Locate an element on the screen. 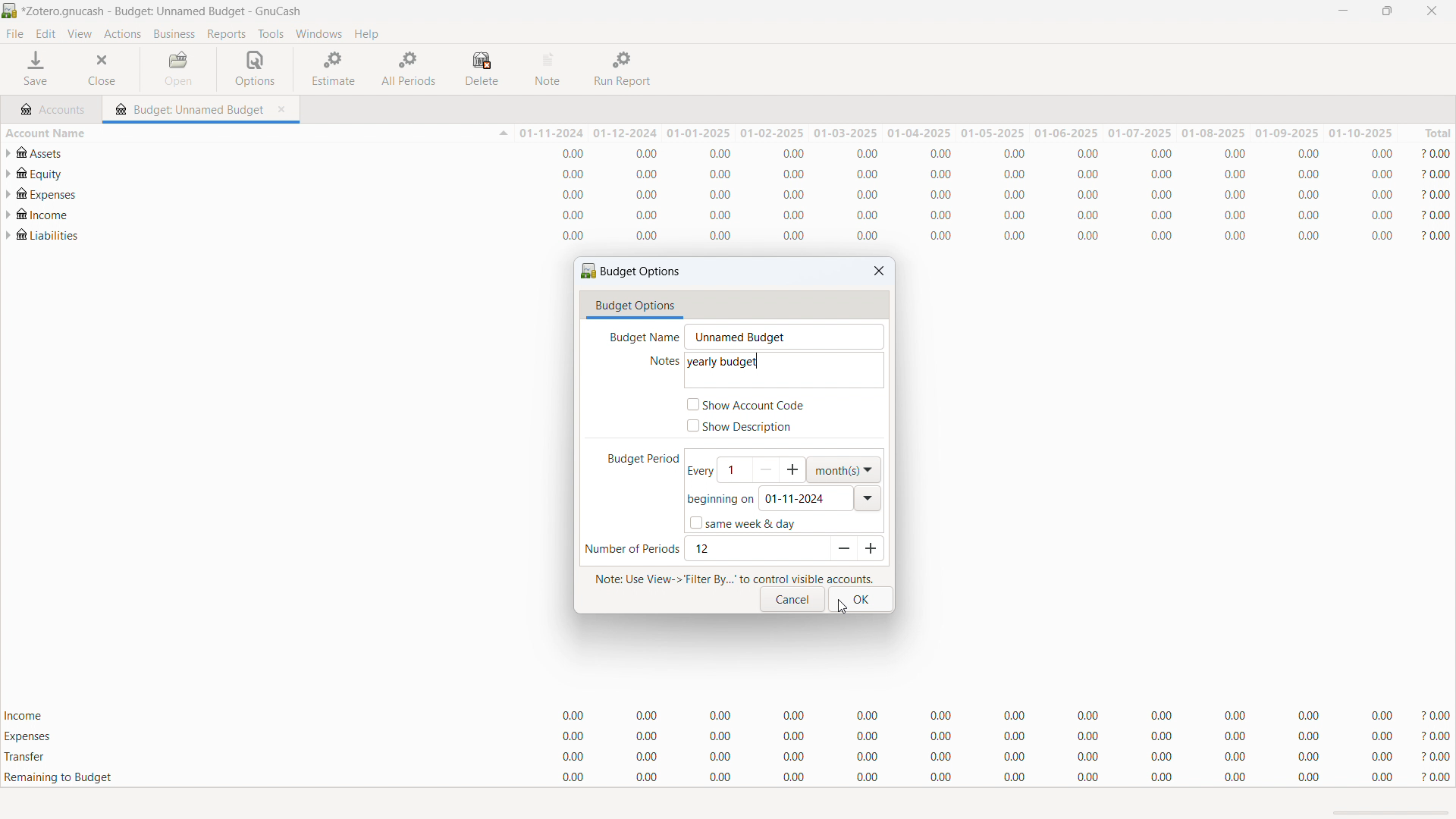 Image resolution: width=1456 pixels, height=819 pixels. scrollbar is located at coordinates (1392, 814).